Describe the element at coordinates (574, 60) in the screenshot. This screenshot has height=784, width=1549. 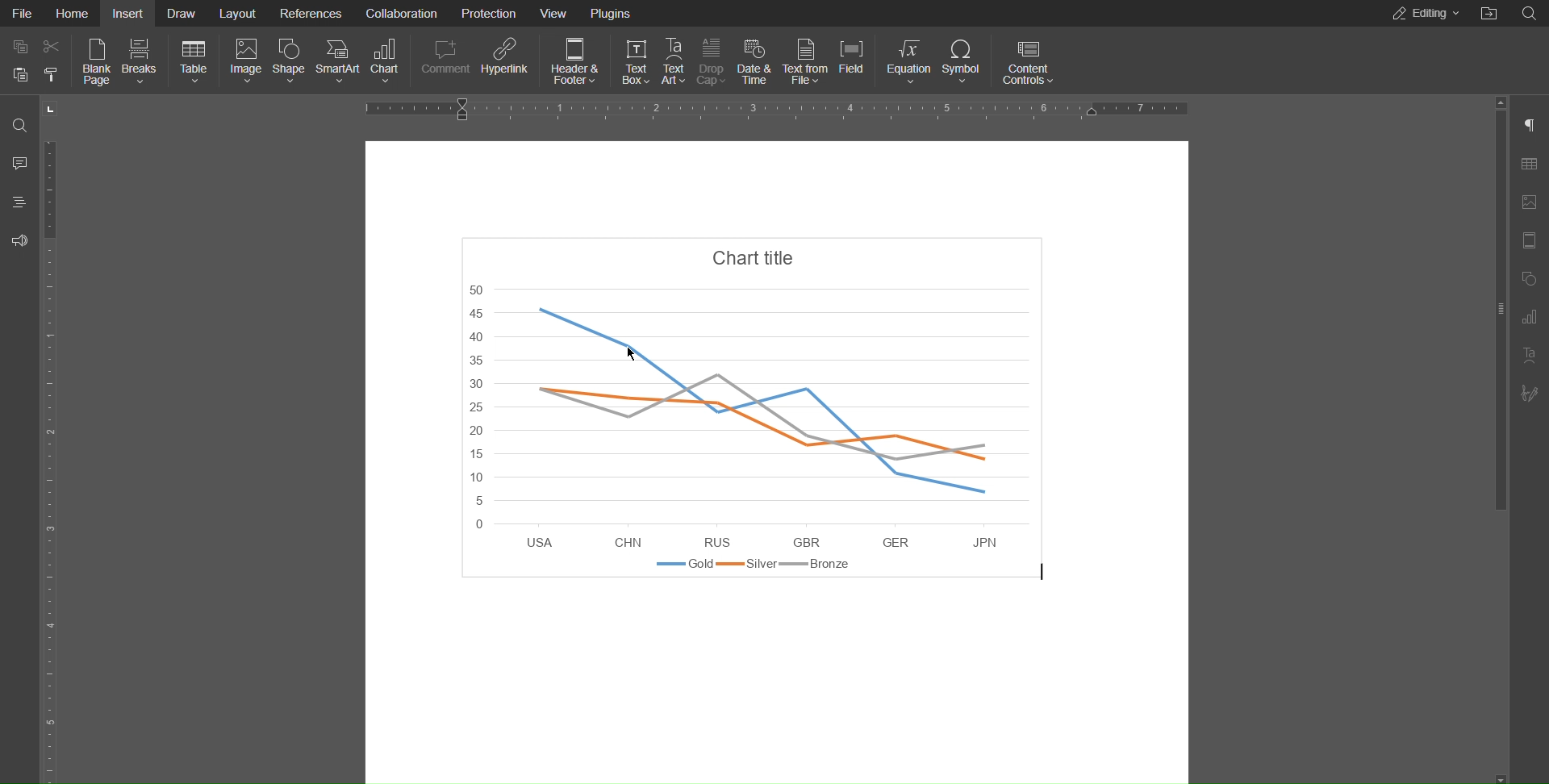
I see `Header and Footer` at that location.